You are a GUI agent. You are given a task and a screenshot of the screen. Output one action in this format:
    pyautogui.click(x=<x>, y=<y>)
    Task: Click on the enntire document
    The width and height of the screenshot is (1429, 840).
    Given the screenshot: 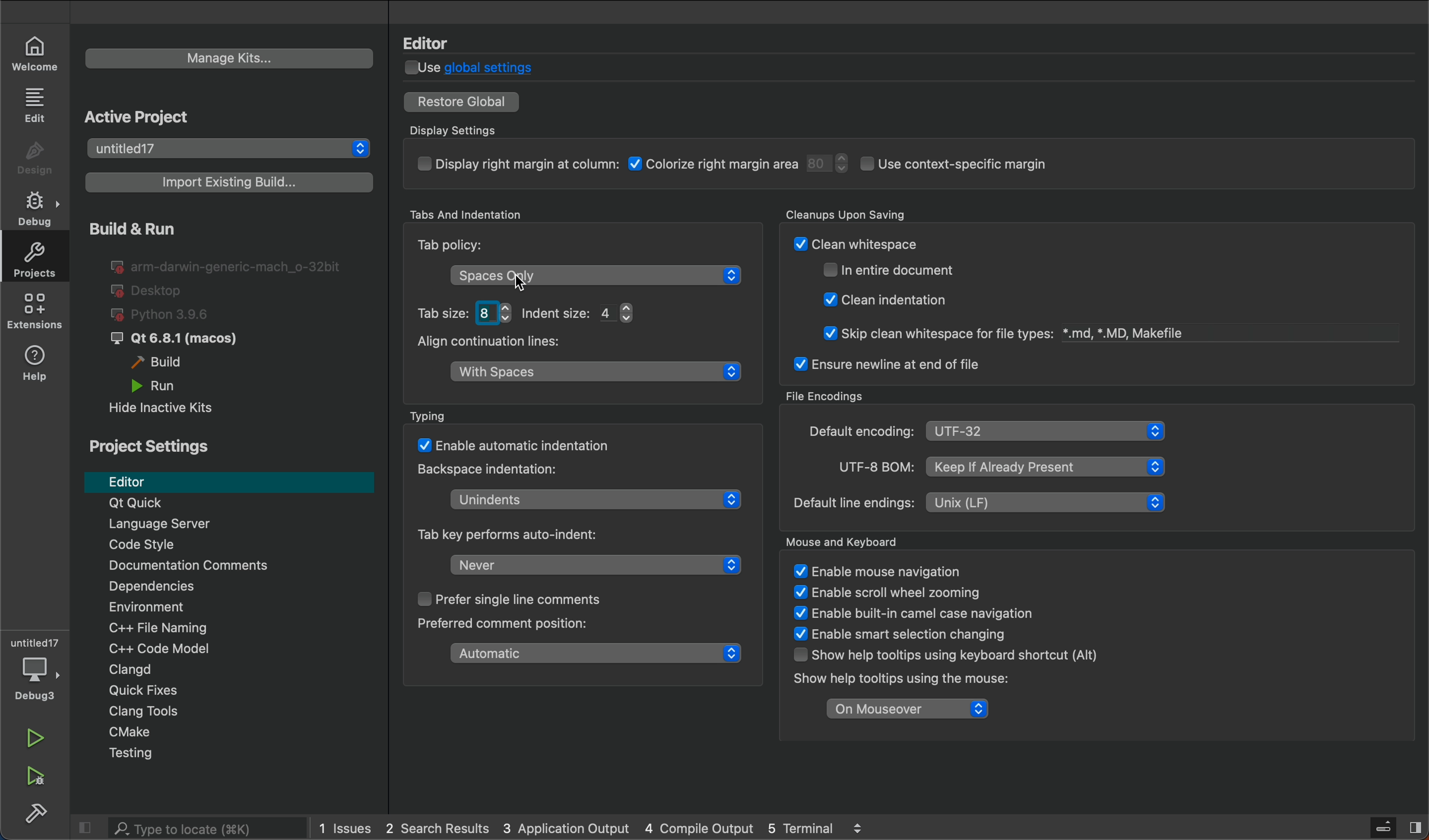 What is the action you would take?
    pyautogui.click(x=897, y=270)
    